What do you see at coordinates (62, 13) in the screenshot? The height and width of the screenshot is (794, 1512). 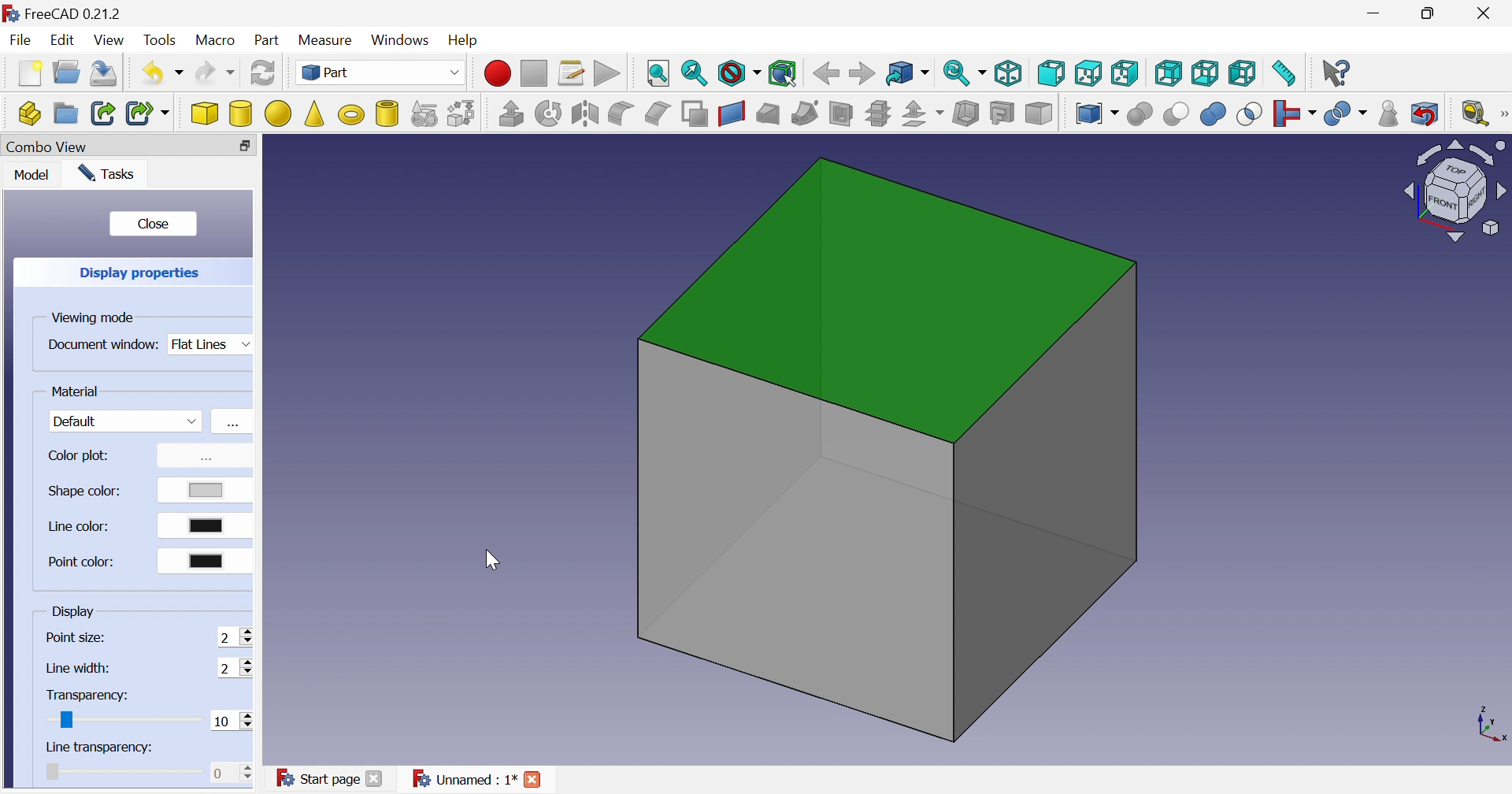 I see `FreeCAD 0.21.2` at bounding box center [62, 13].